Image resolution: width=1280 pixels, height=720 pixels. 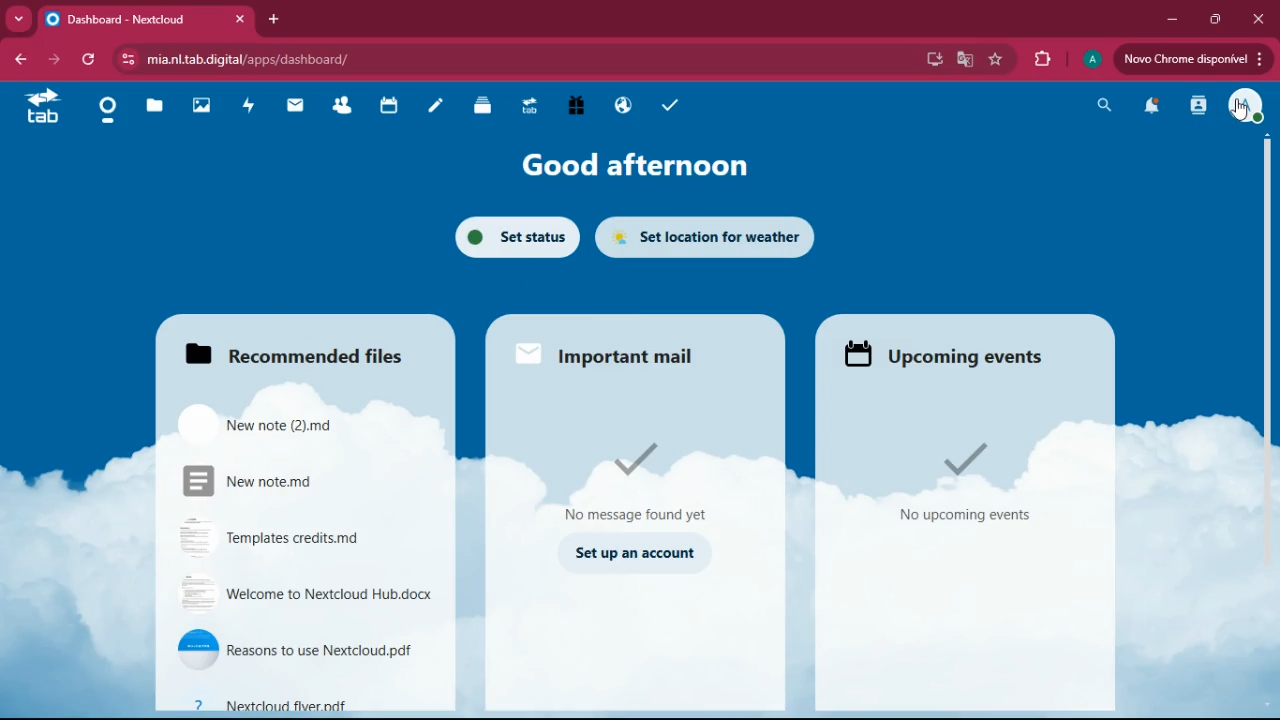 What do you see at coordinates (434, 111) in the screenshot?
I see `notes` at bounding box center [434, 111].